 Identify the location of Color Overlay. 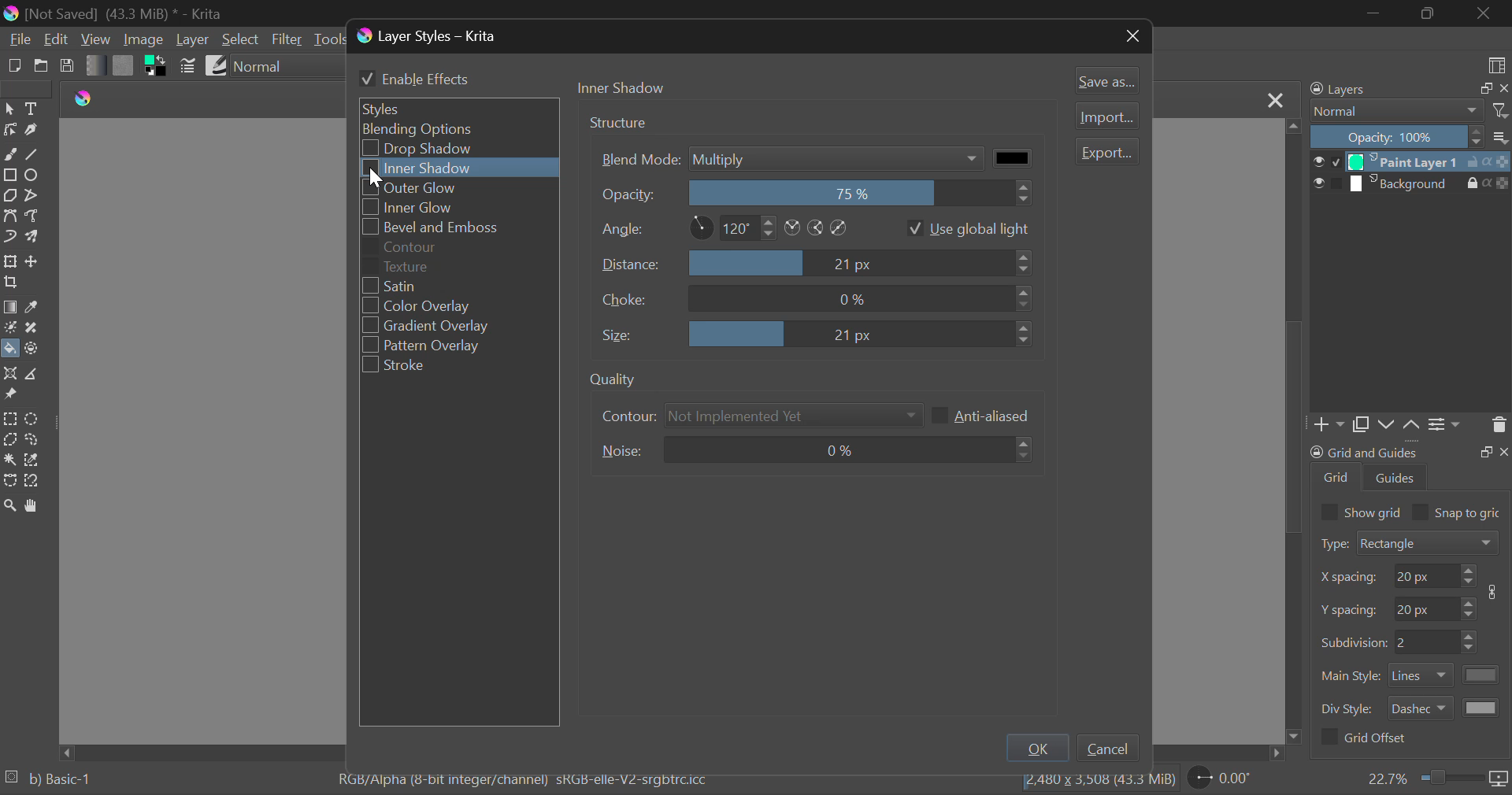
(432, 305).